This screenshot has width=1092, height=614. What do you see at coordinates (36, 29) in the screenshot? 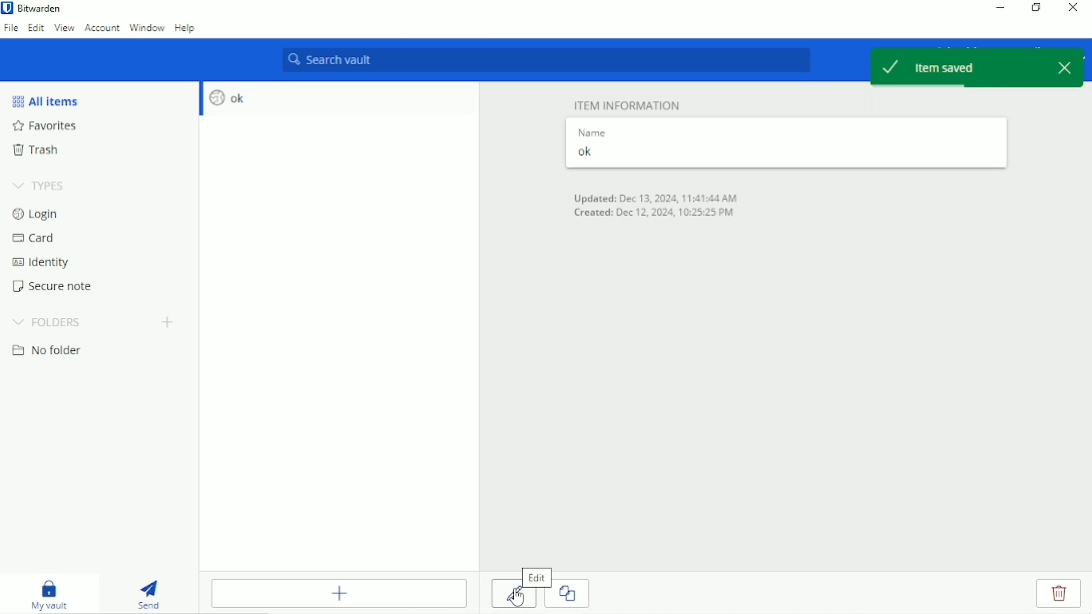
I see `Edit` at bounding box center [36, 29].